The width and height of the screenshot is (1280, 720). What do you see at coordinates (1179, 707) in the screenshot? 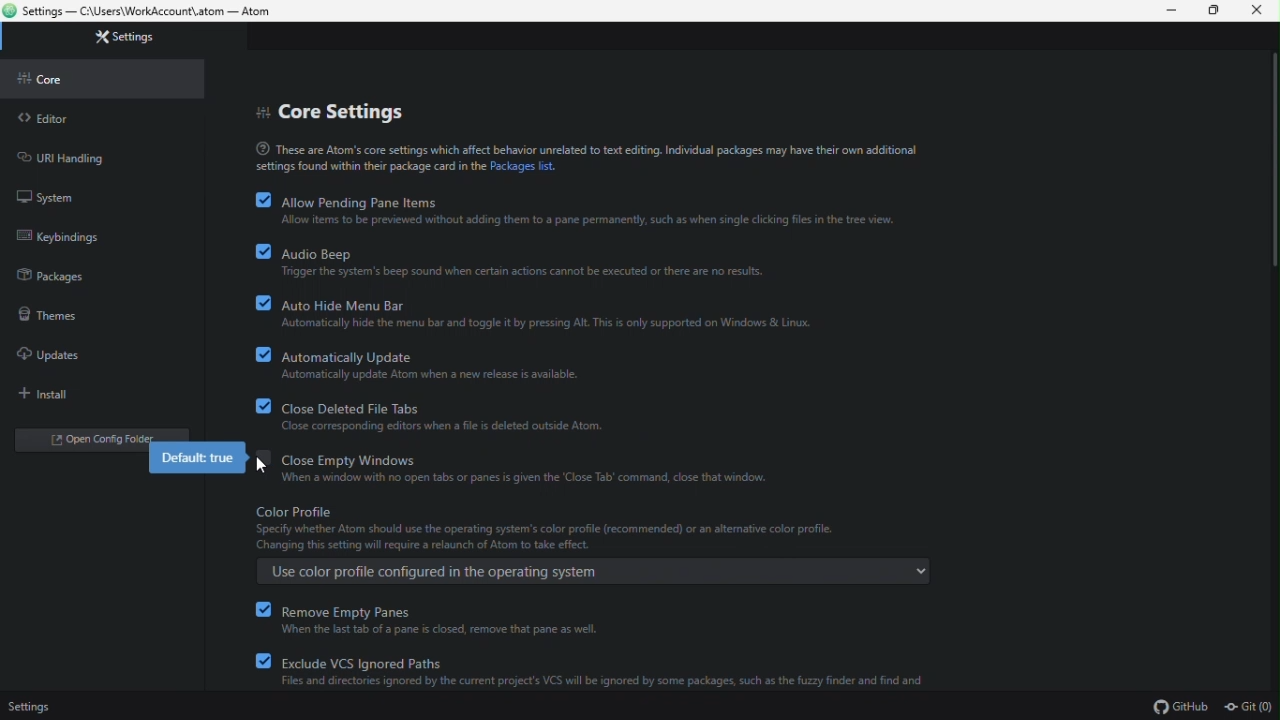
I see `GitHub` at bounding box center [1179, 707].